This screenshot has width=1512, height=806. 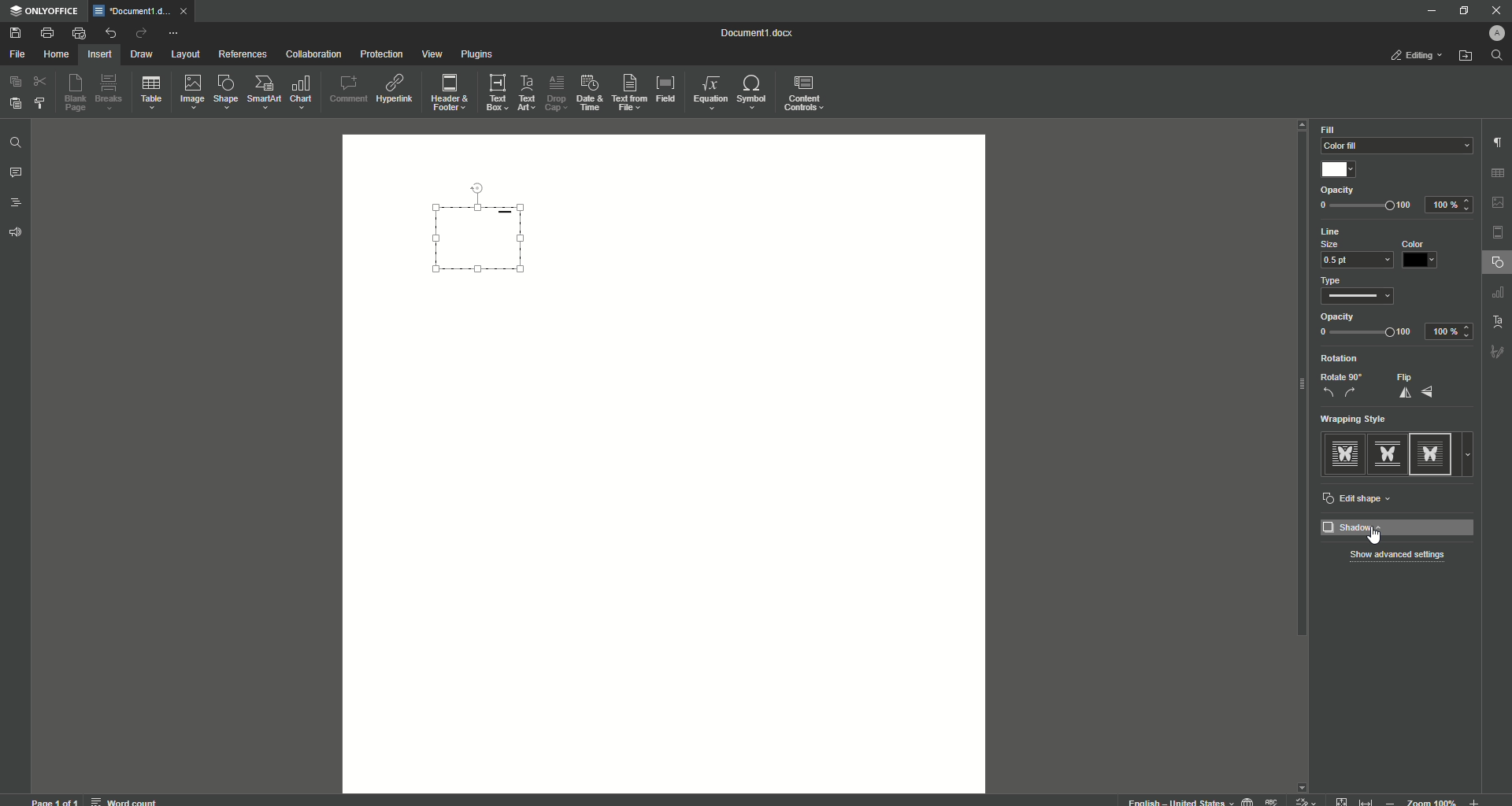 What do you see at coordinates (1436, 800) in the screenshot?
I see `zoom out or zoom in` at bounding box center [1436, 800].